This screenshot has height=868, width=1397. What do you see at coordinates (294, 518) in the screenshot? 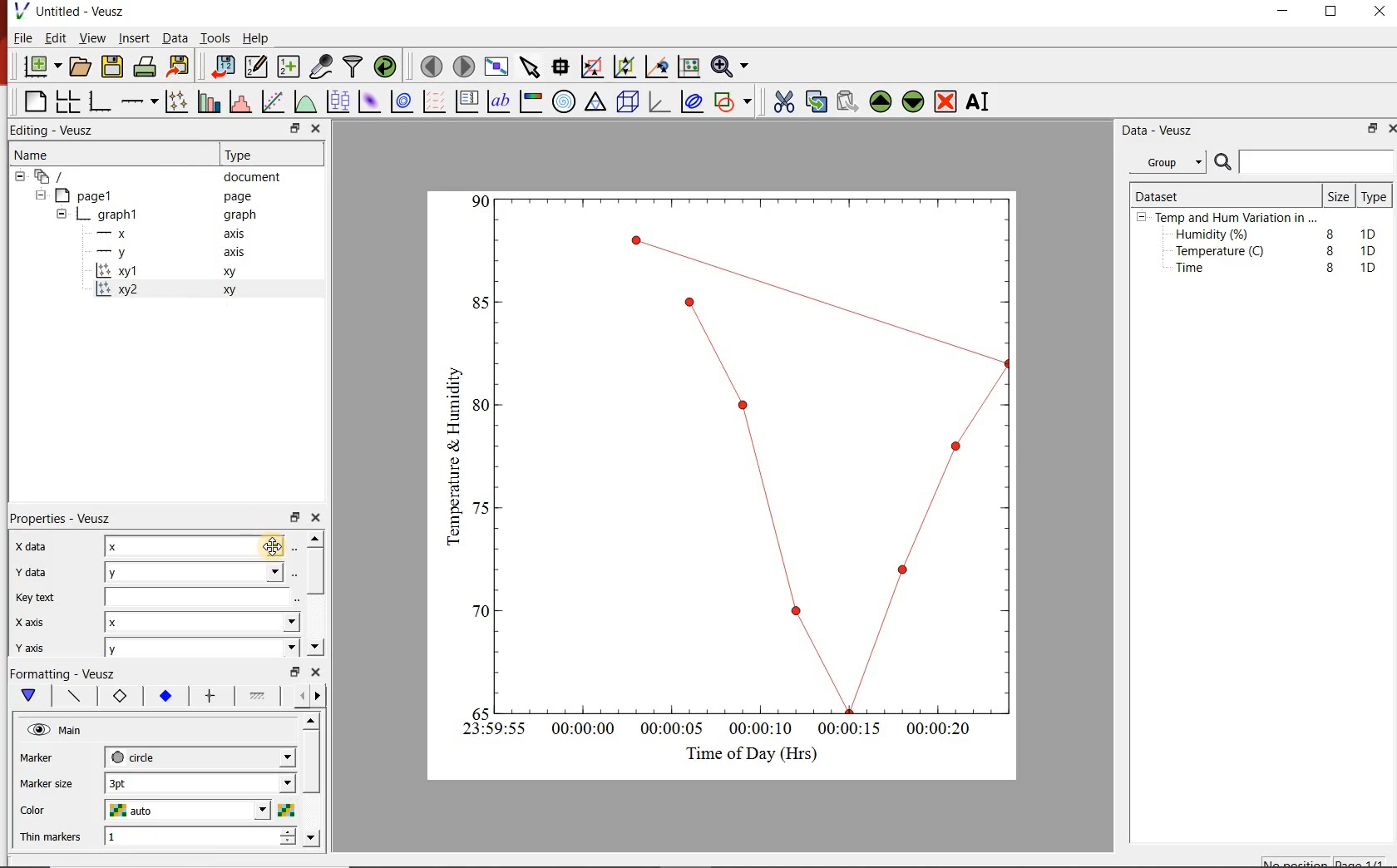
I see `restore down` at bounding box center [294, 518].